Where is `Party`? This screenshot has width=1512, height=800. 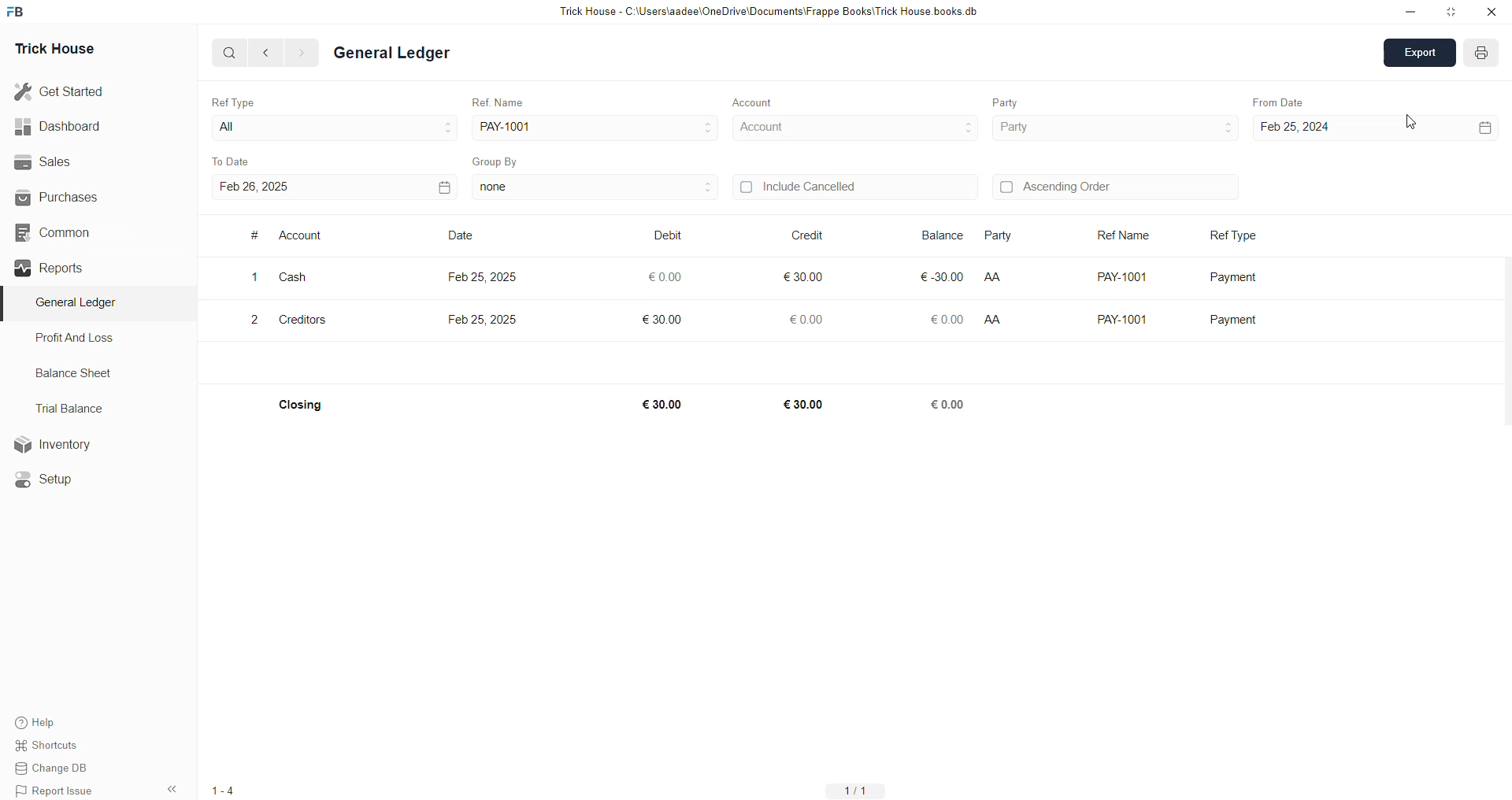 Party is located at coordinates (996, 102).